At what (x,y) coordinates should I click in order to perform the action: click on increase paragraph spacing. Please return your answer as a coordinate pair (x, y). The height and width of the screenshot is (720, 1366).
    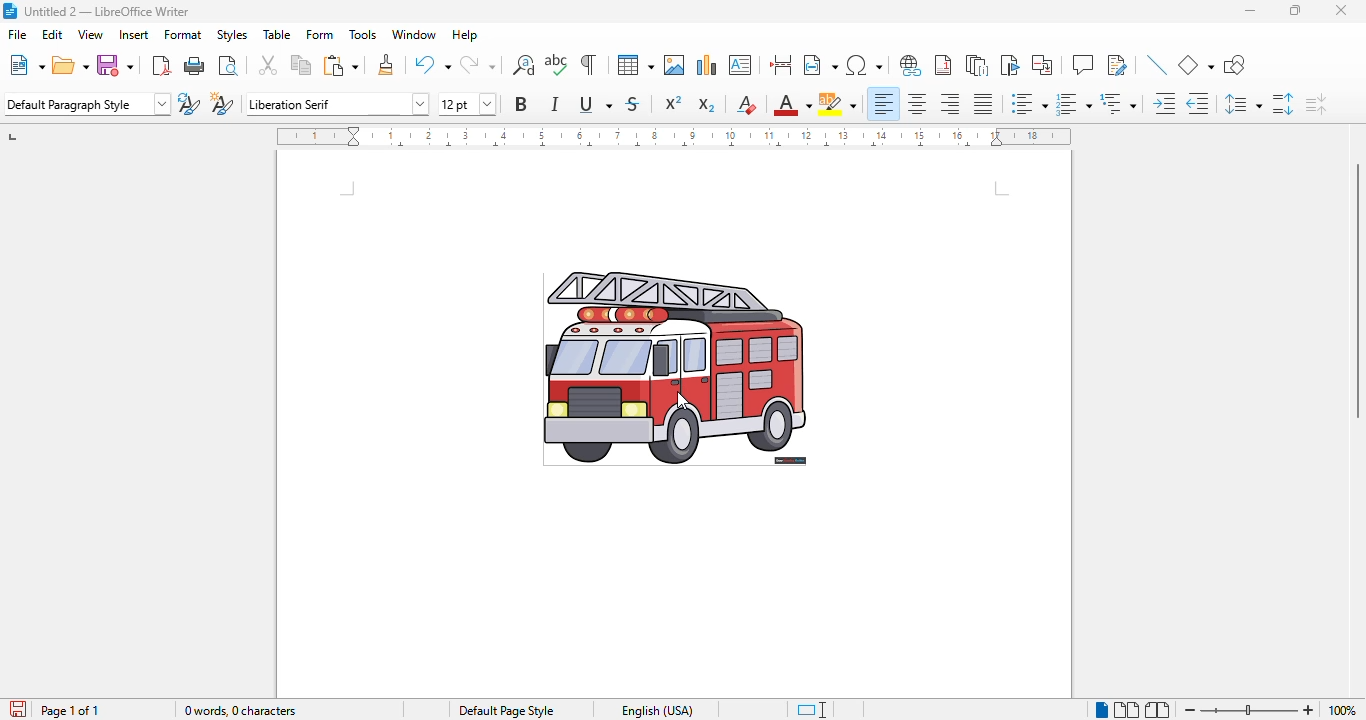
    Looking at the image, I should click on (1282, 103).